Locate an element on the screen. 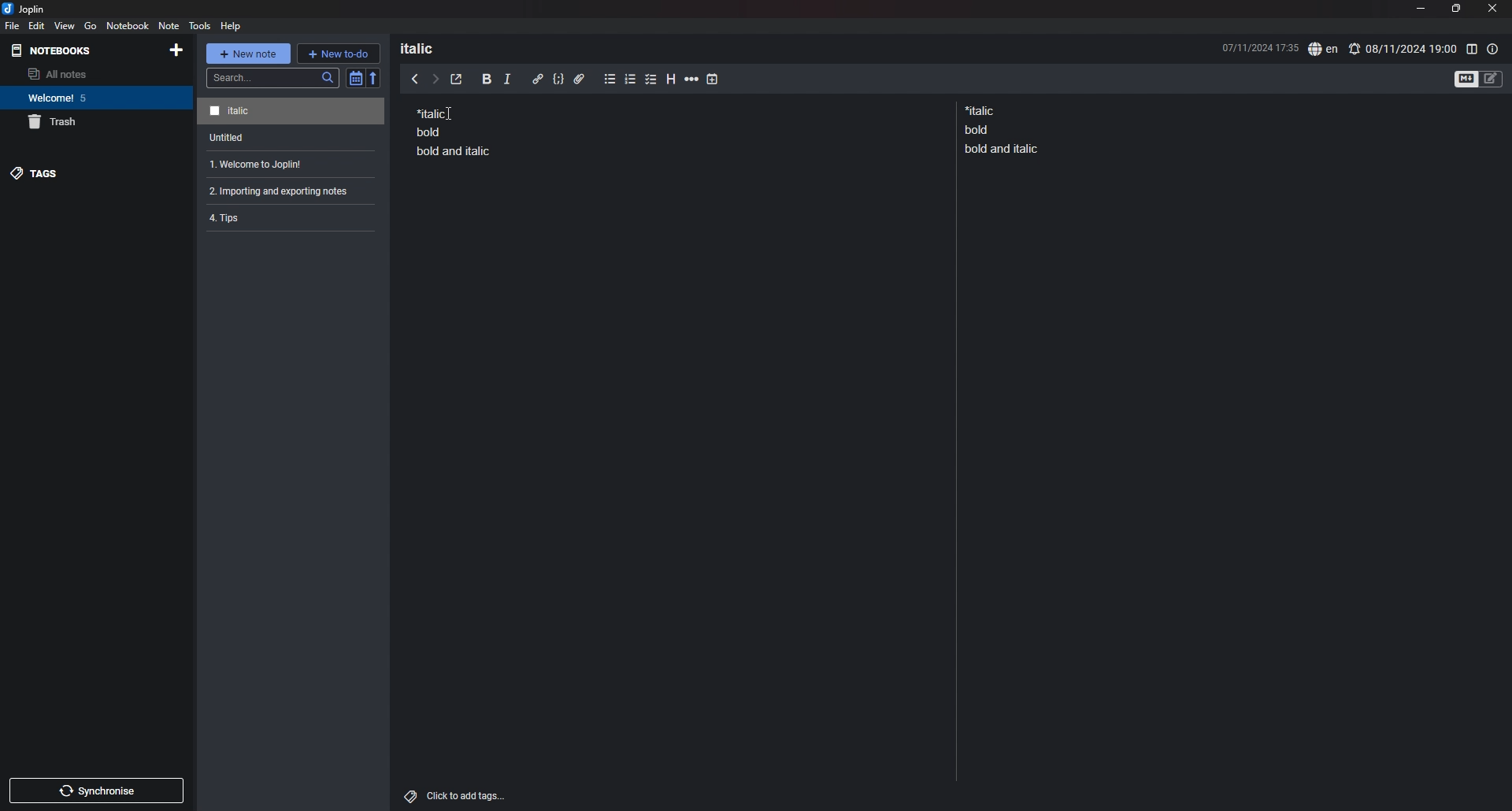 The width and height of the screenshot is (1512, 811). toggle editor layout is located at coordinates (1471, 49).